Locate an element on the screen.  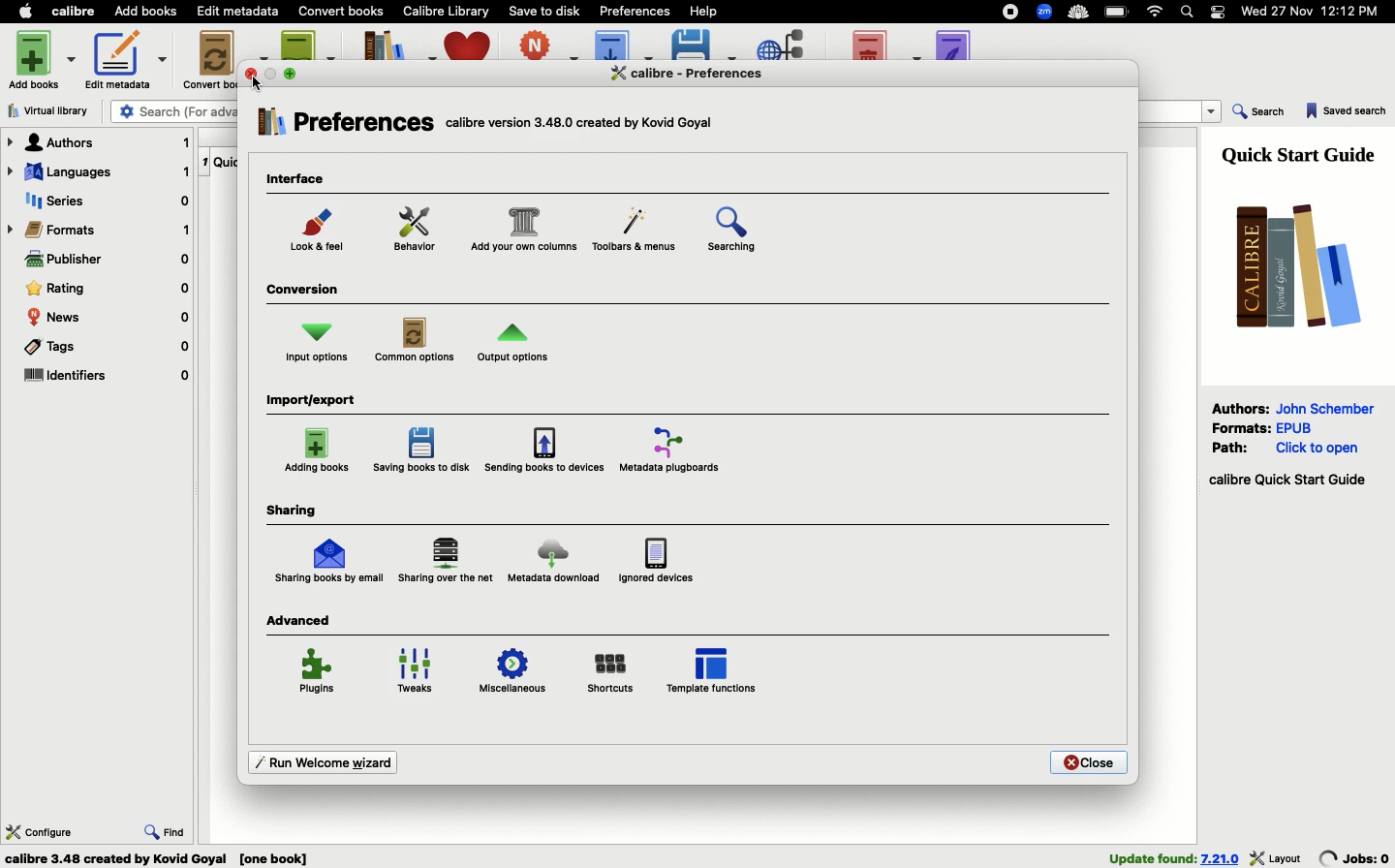
dropdown is located at coordinates (1213, 112).